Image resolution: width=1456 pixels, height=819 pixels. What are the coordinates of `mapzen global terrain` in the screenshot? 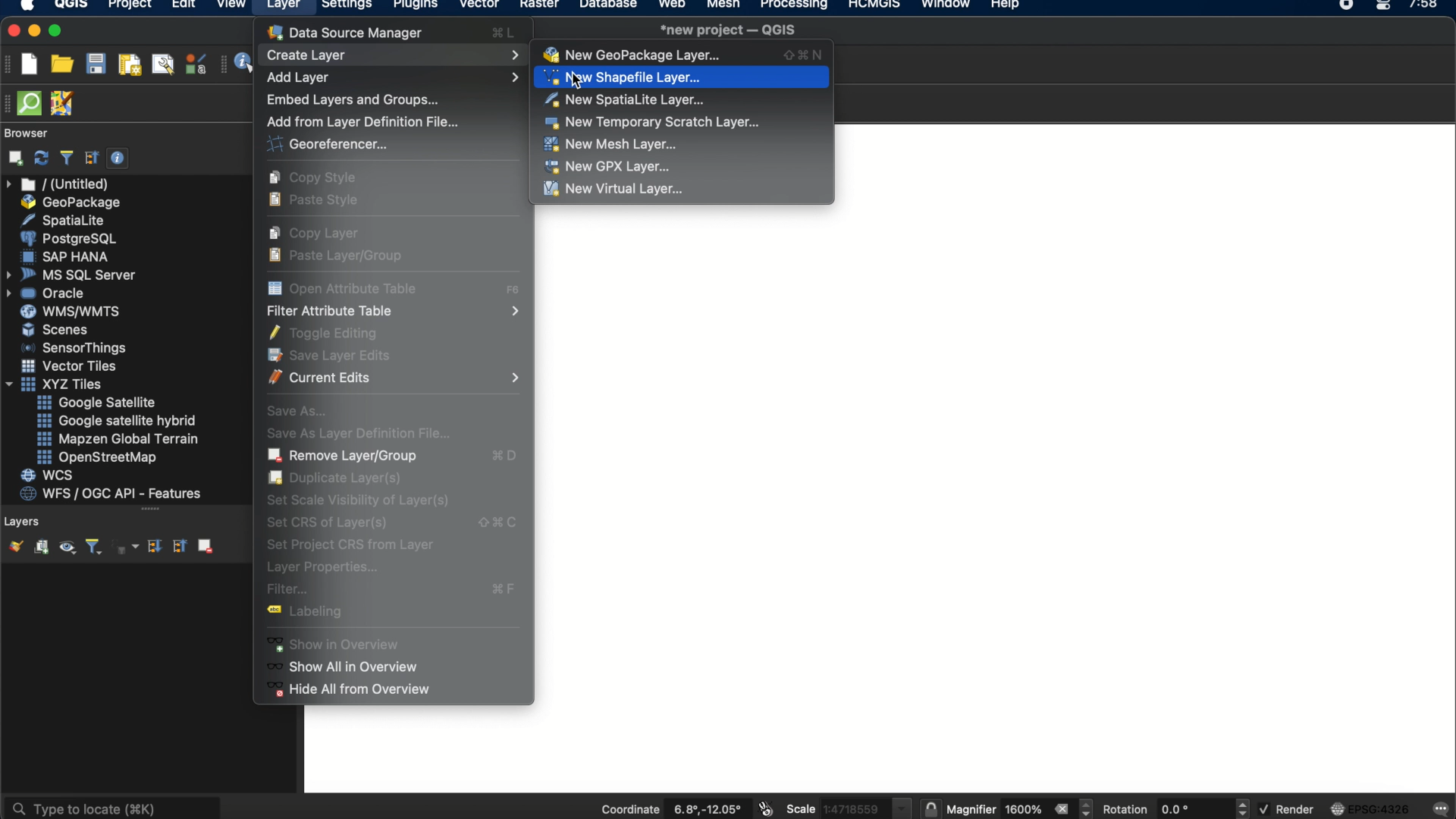 It's located at (118, 439).